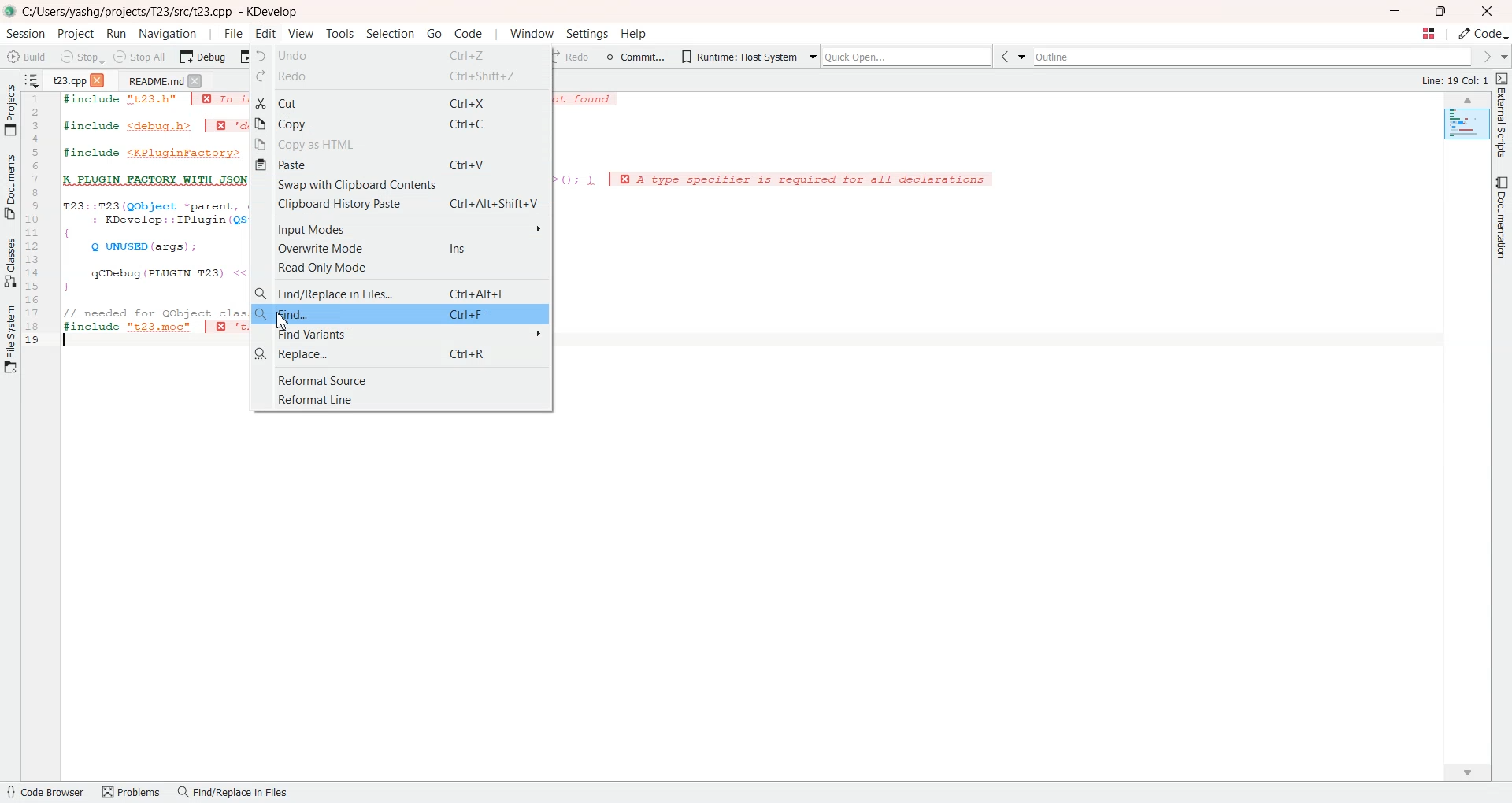 This screenshot has height=803, width=1512. Describe the element at coordinates (401, 228) in the screenshot. I see `Input Modes` at that location.